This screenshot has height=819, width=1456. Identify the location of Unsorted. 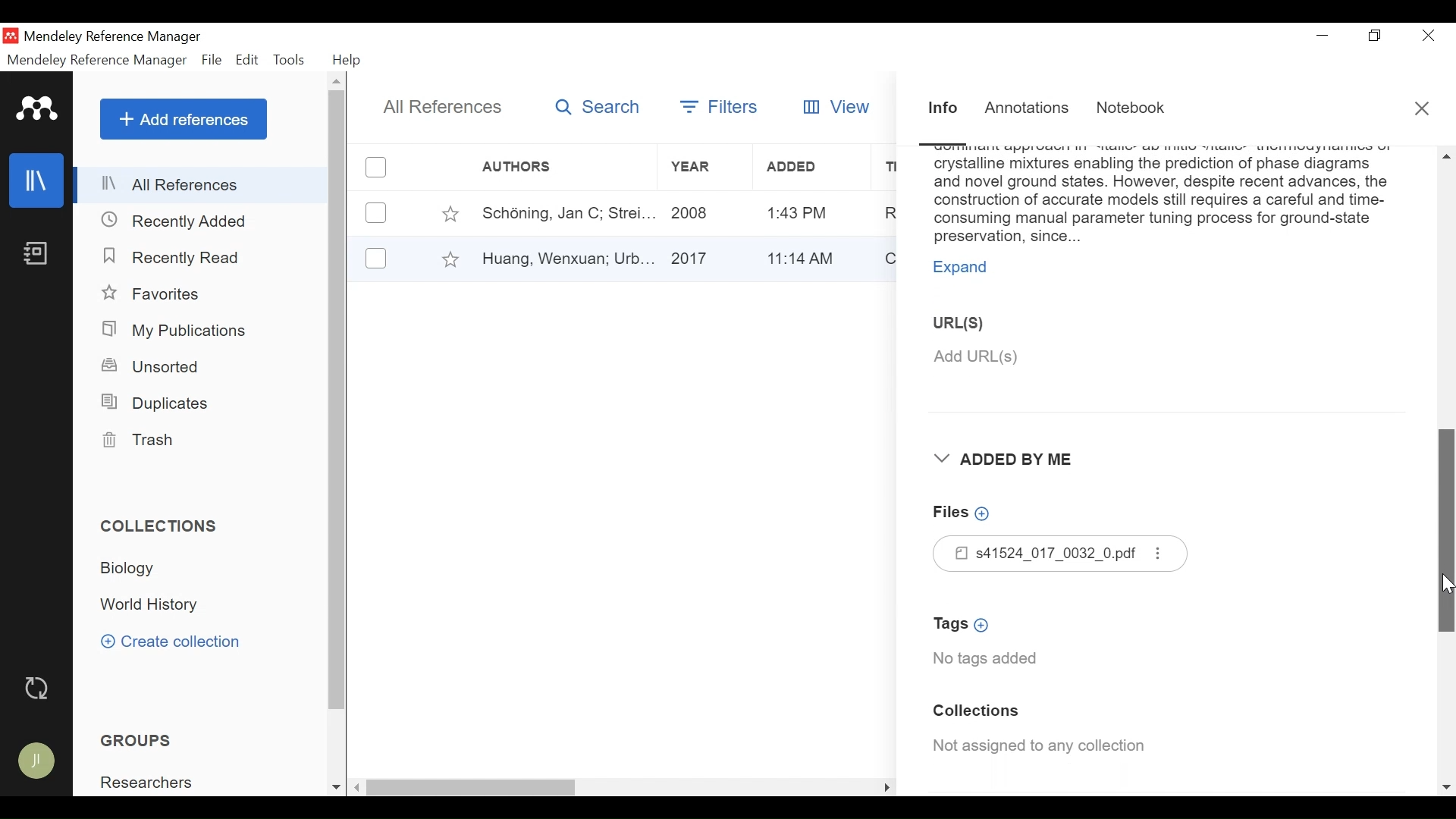
(152, 366).